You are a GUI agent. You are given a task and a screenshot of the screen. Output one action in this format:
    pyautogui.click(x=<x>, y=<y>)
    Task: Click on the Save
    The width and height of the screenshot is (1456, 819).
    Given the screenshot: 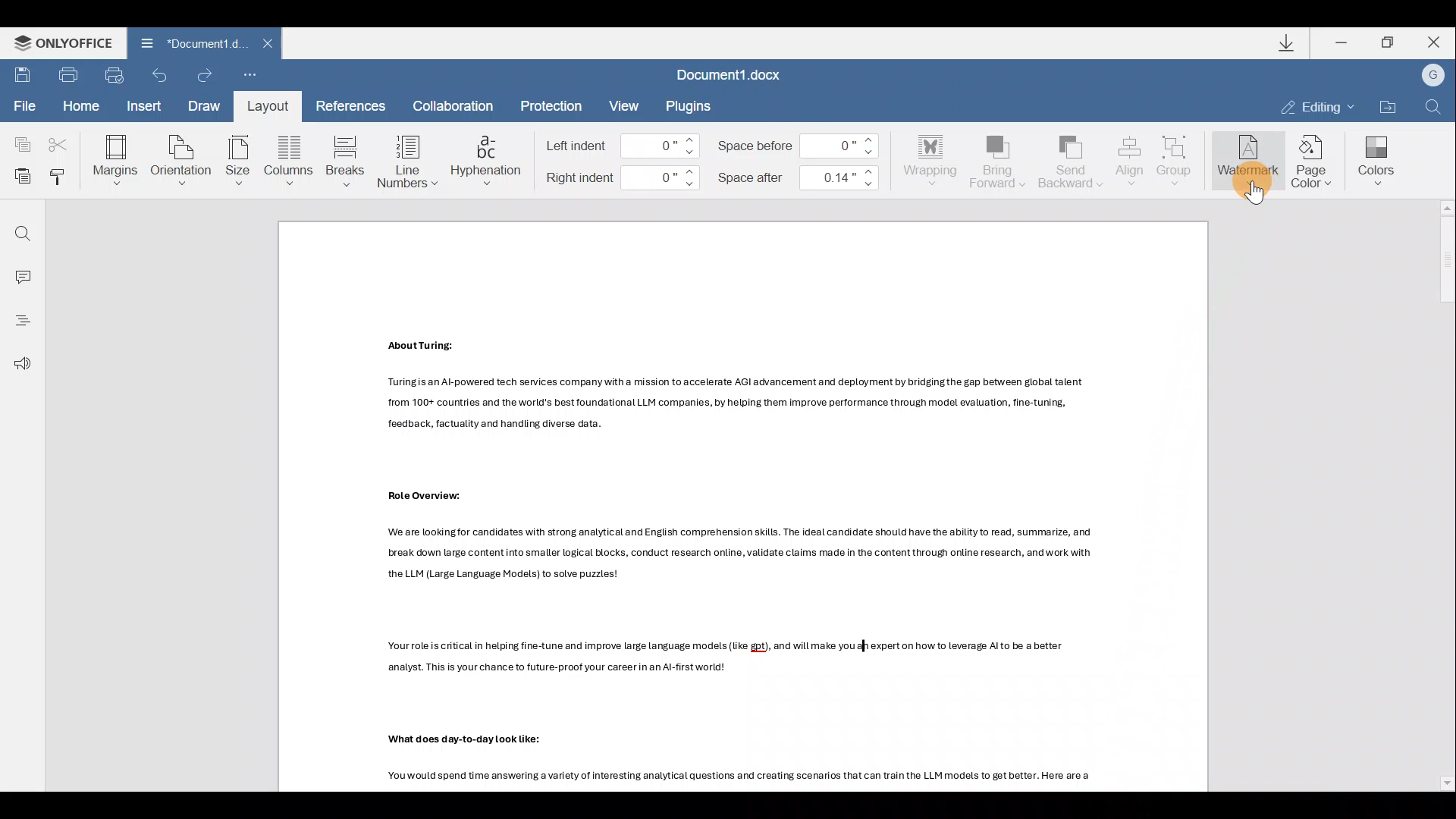 What is the action you would take?
    pyautogui.click(x=20, y=76)
    